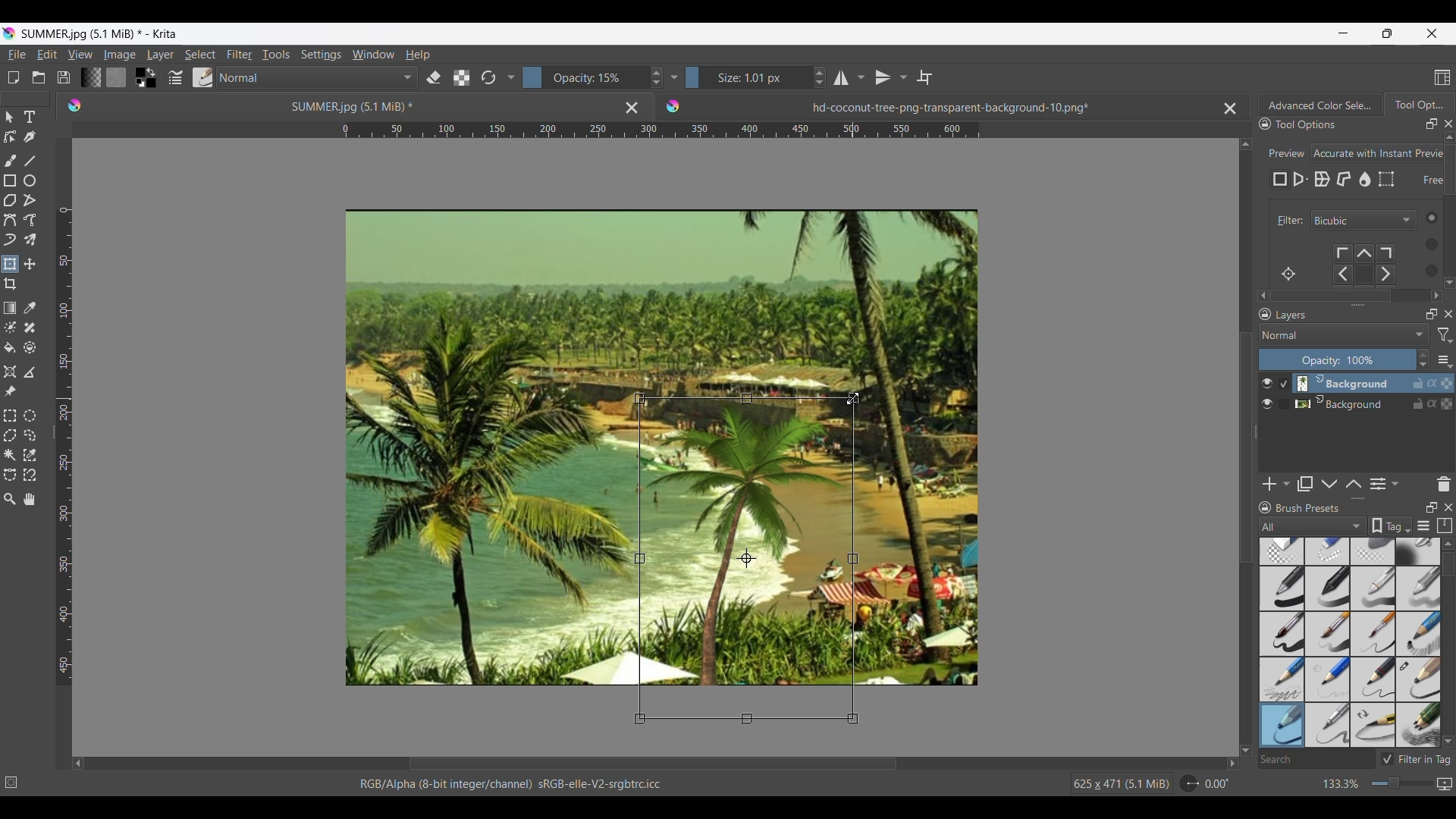 Image resolution: width=1456 pixels, height=819 pixels. Describe the element at coordinates (30, 474) in the screenshot. I see `Magnetic curve selection tool` at that location.